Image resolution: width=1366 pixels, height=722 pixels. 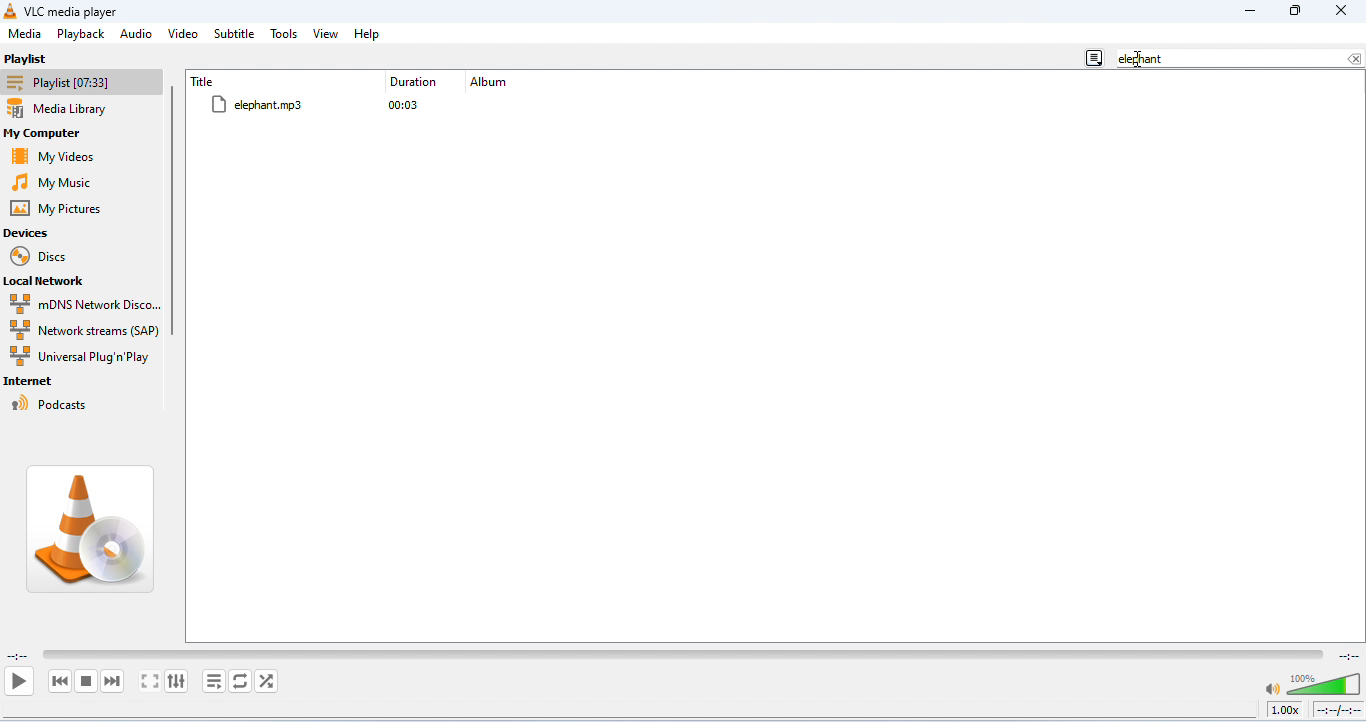 I want to click on view, so click(x=326, y=34).